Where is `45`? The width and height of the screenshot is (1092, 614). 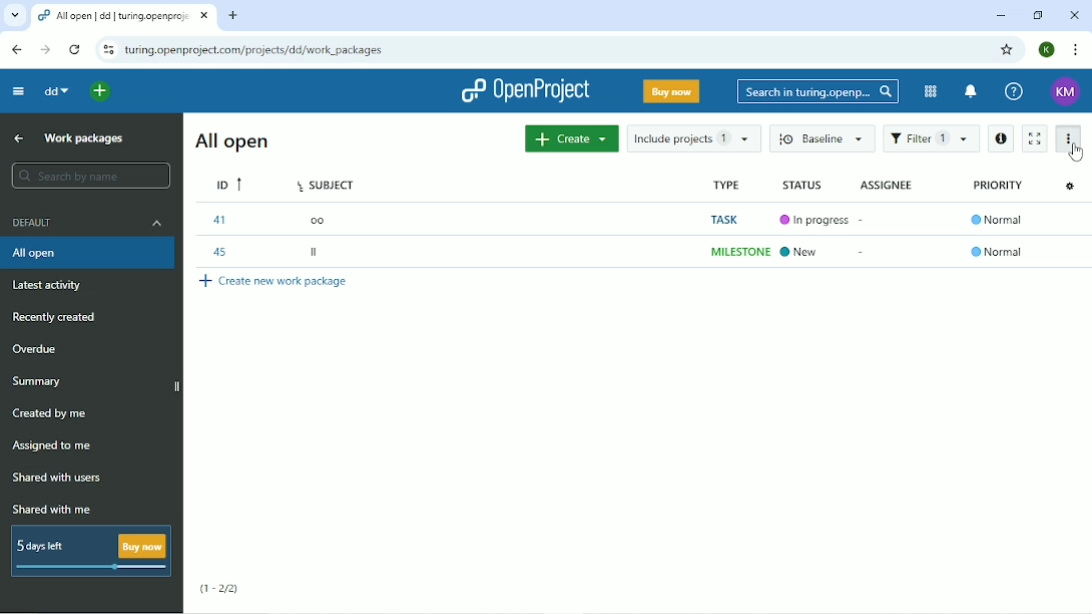
45 is located at coordinates (222, 253).